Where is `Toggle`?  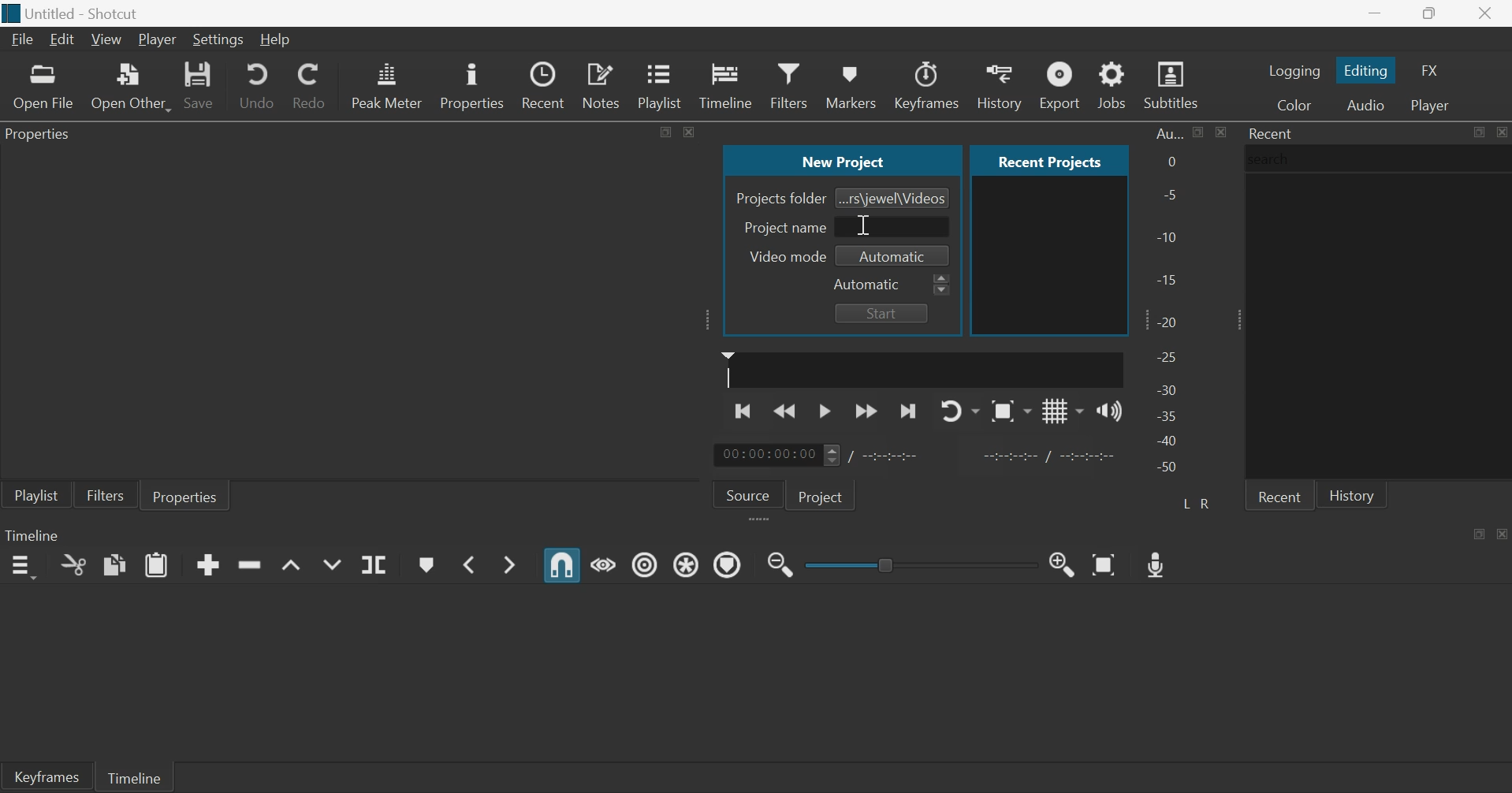
Toggle is located at coordinates (888, 563).